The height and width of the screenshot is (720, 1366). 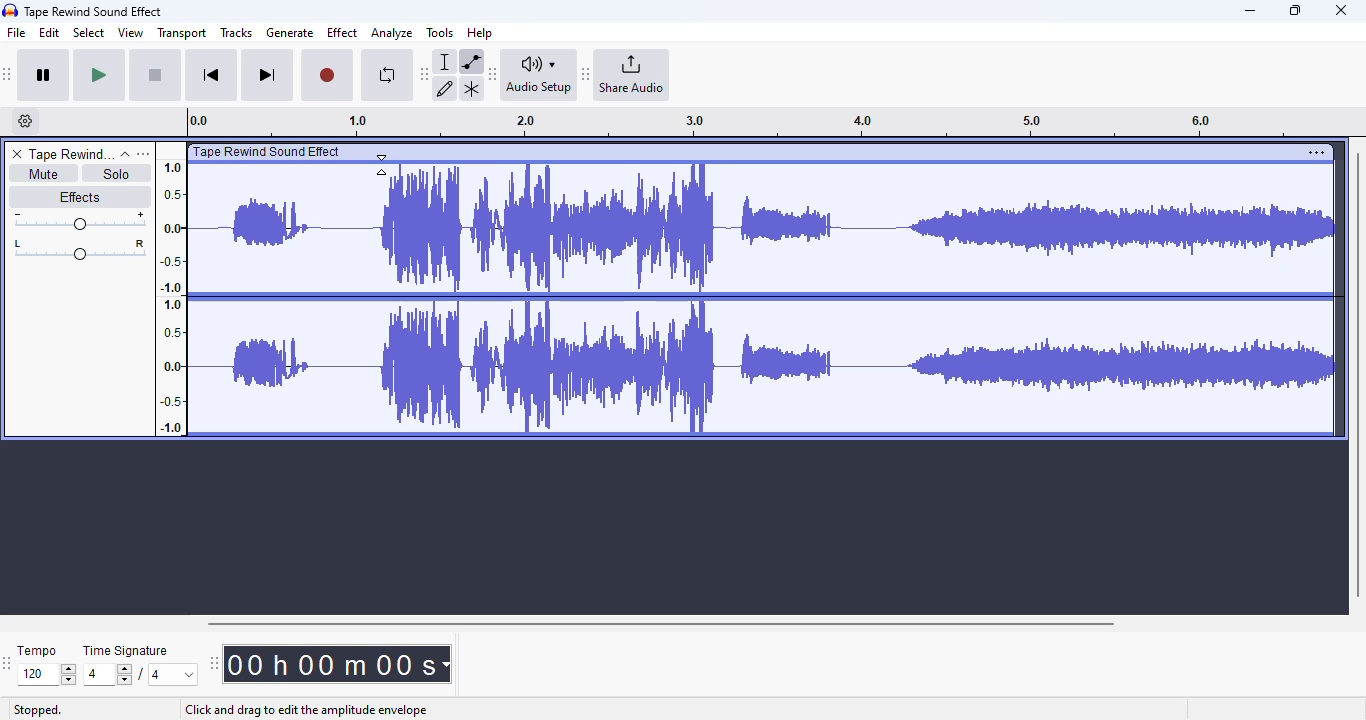 What do you see at coordinates (10, 11) in the screenshot?
I see `Audacity logo` at bounding box center [10, 11].